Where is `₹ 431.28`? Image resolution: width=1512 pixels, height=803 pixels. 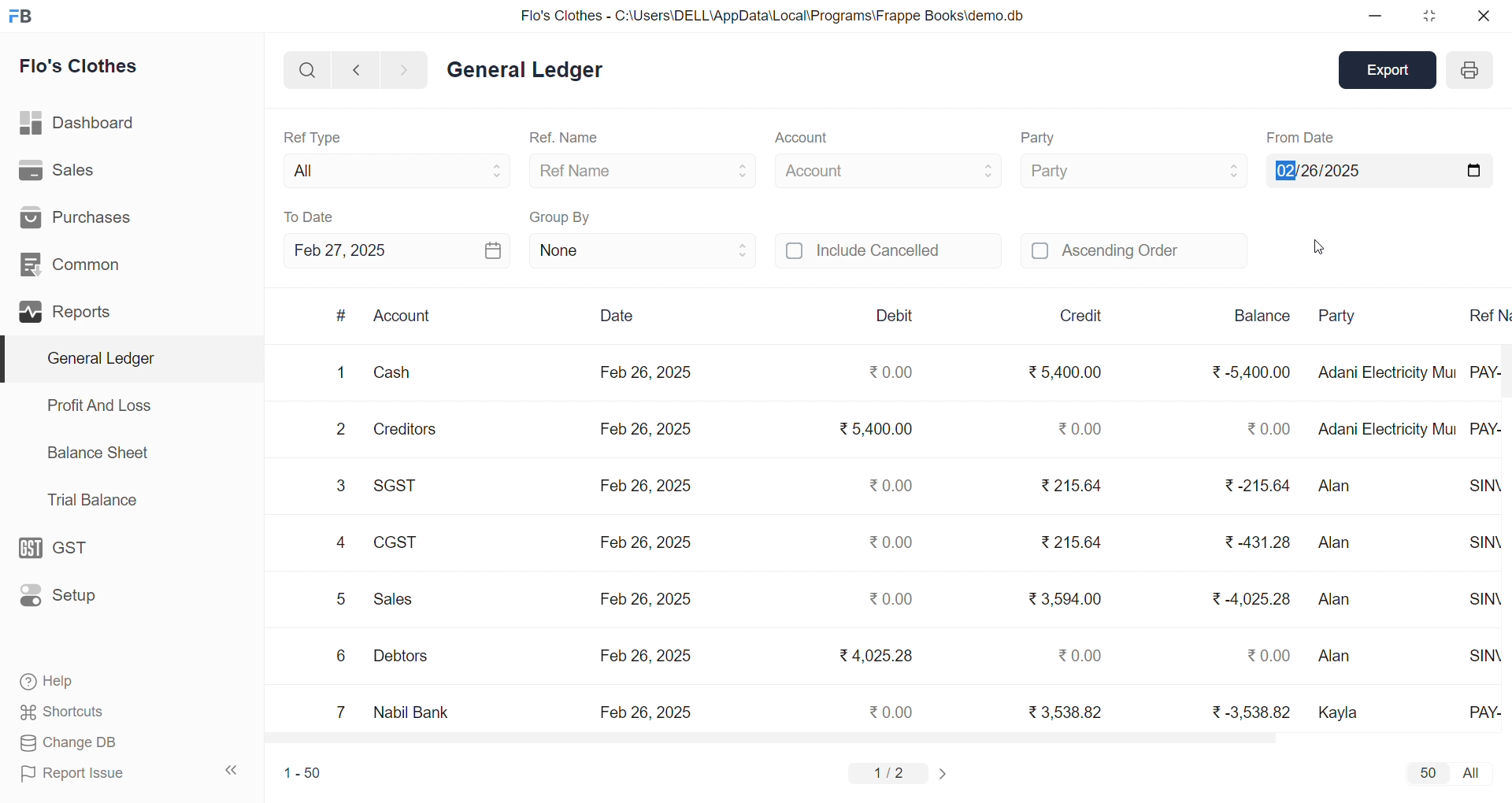 ₹ 431.28 is located at coordinates (1256, 542).